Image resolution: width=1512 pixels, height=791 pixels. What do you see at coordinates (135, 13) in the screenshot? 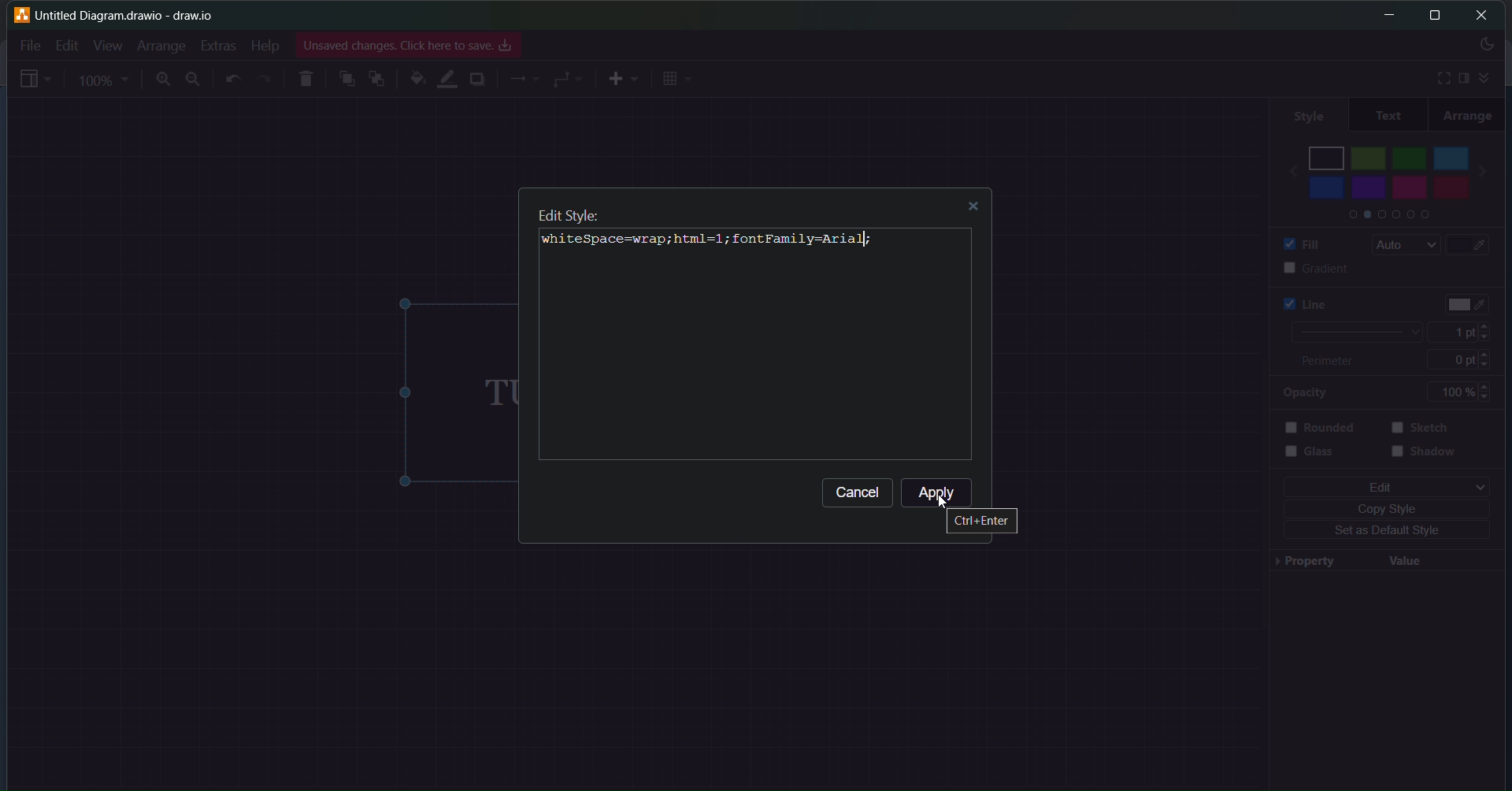
I see `untitled Diagram.drawio - draw.io` at bounding box center [135, 13].